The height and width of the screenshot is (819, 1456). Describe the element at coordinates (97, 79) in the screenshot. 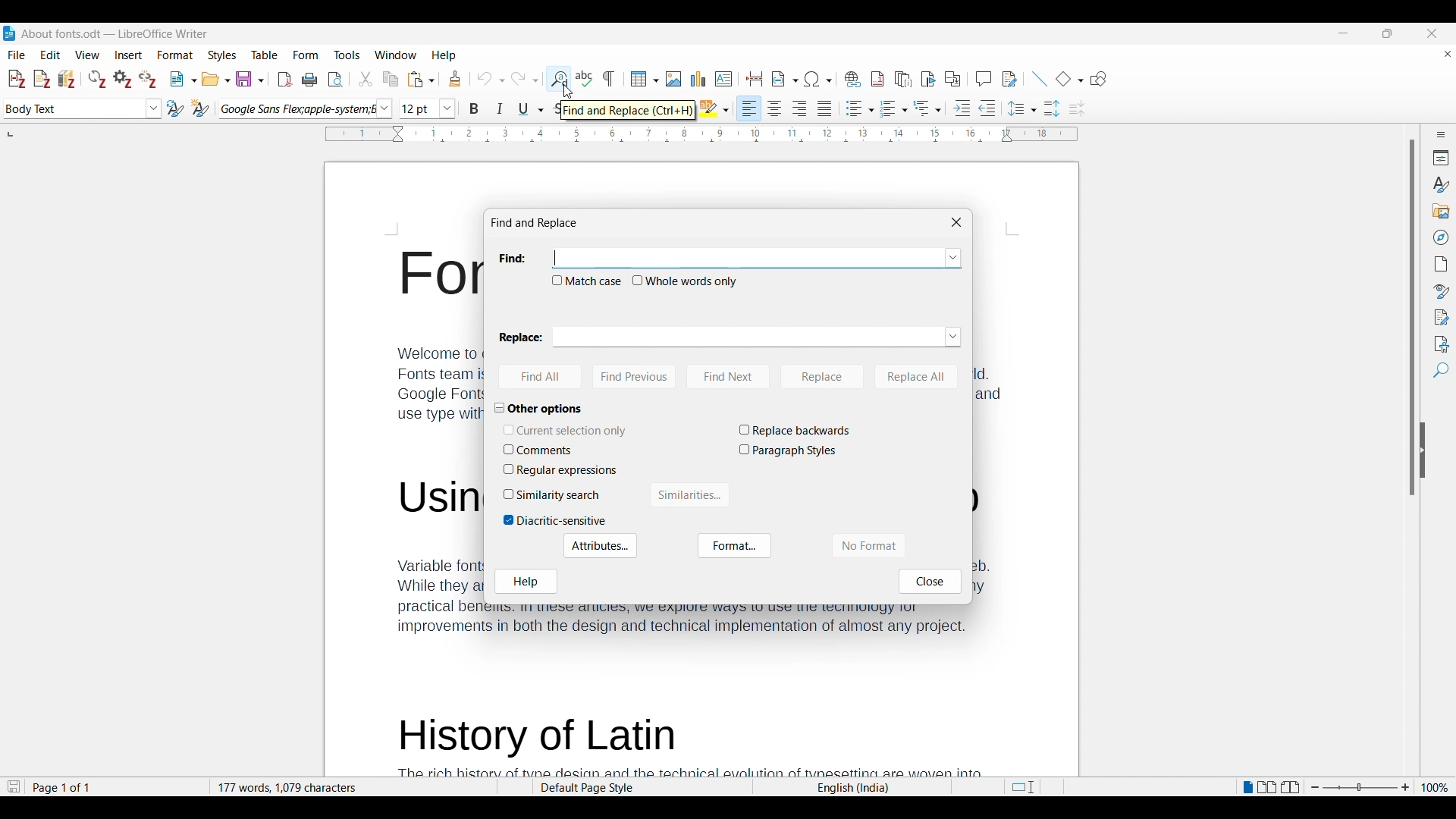

I see `Refresh` at that location.